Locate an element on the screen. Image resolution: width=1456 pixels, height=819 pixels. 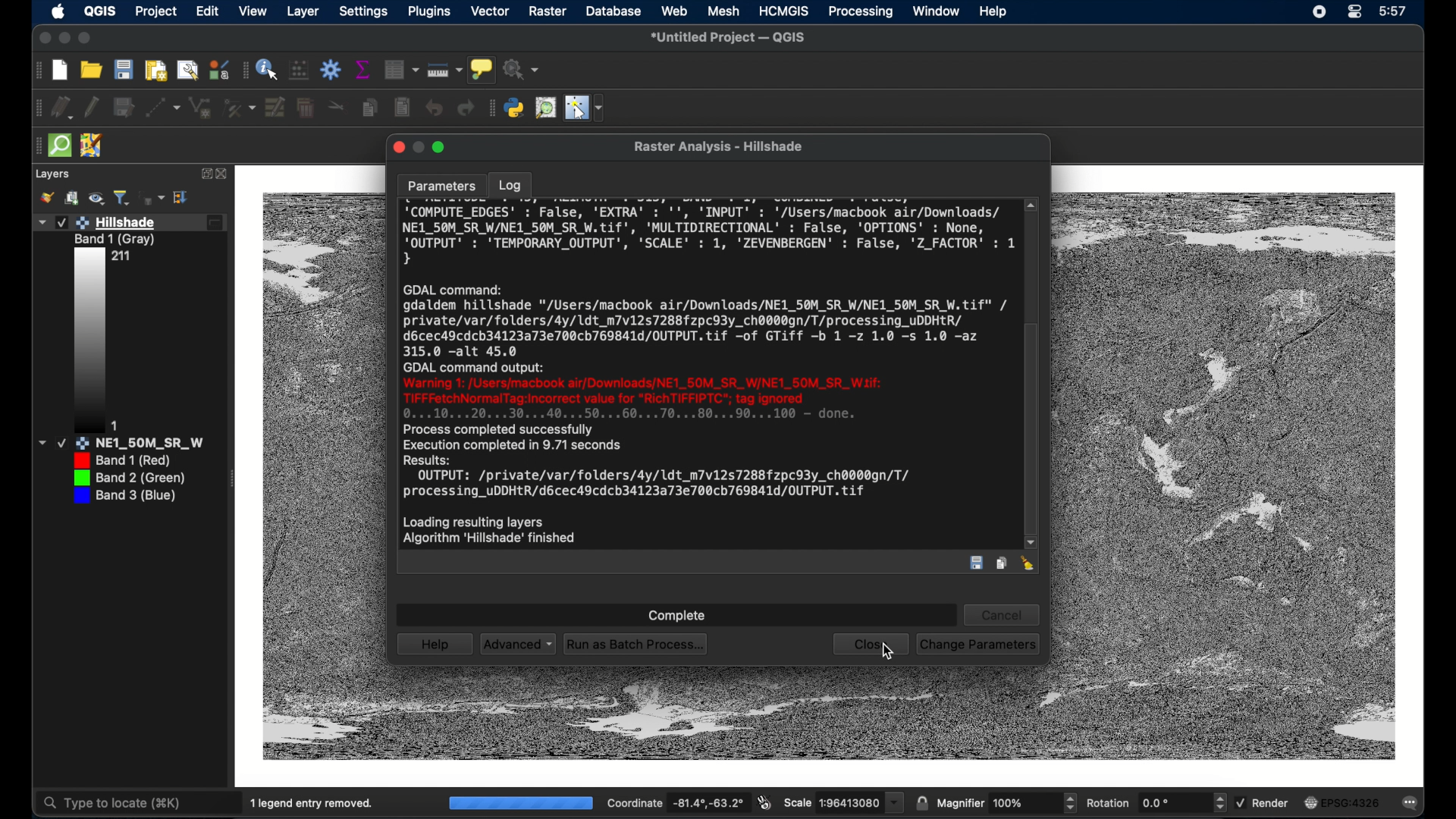
line string is located at coordinates (200, 108).